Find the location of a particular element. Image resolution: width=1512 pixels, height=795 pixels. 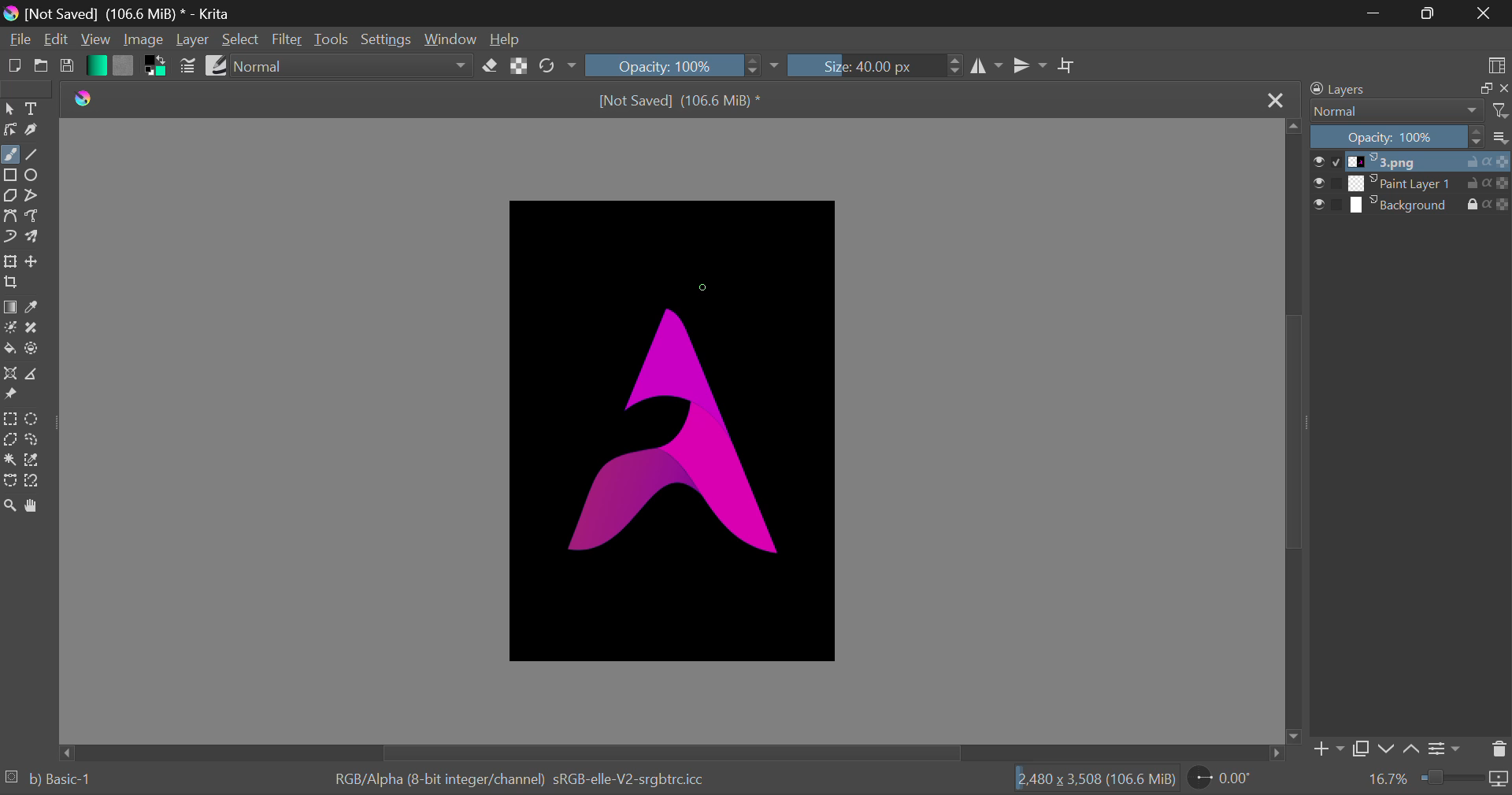

options is located at coordinates (1499, 135).